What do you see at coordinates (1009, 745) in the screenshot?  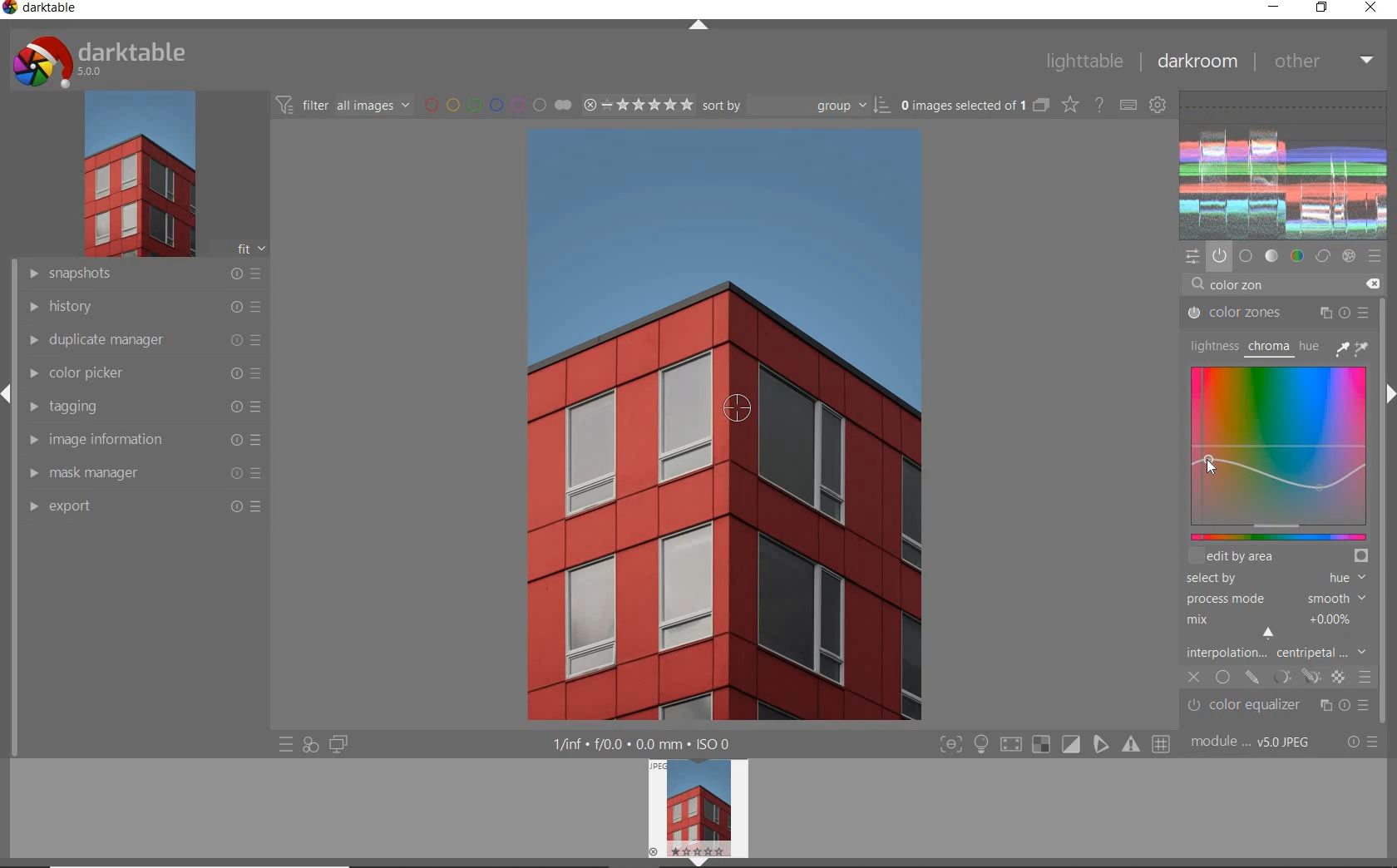 I see `shadow` at bounding box center [1009, 745].